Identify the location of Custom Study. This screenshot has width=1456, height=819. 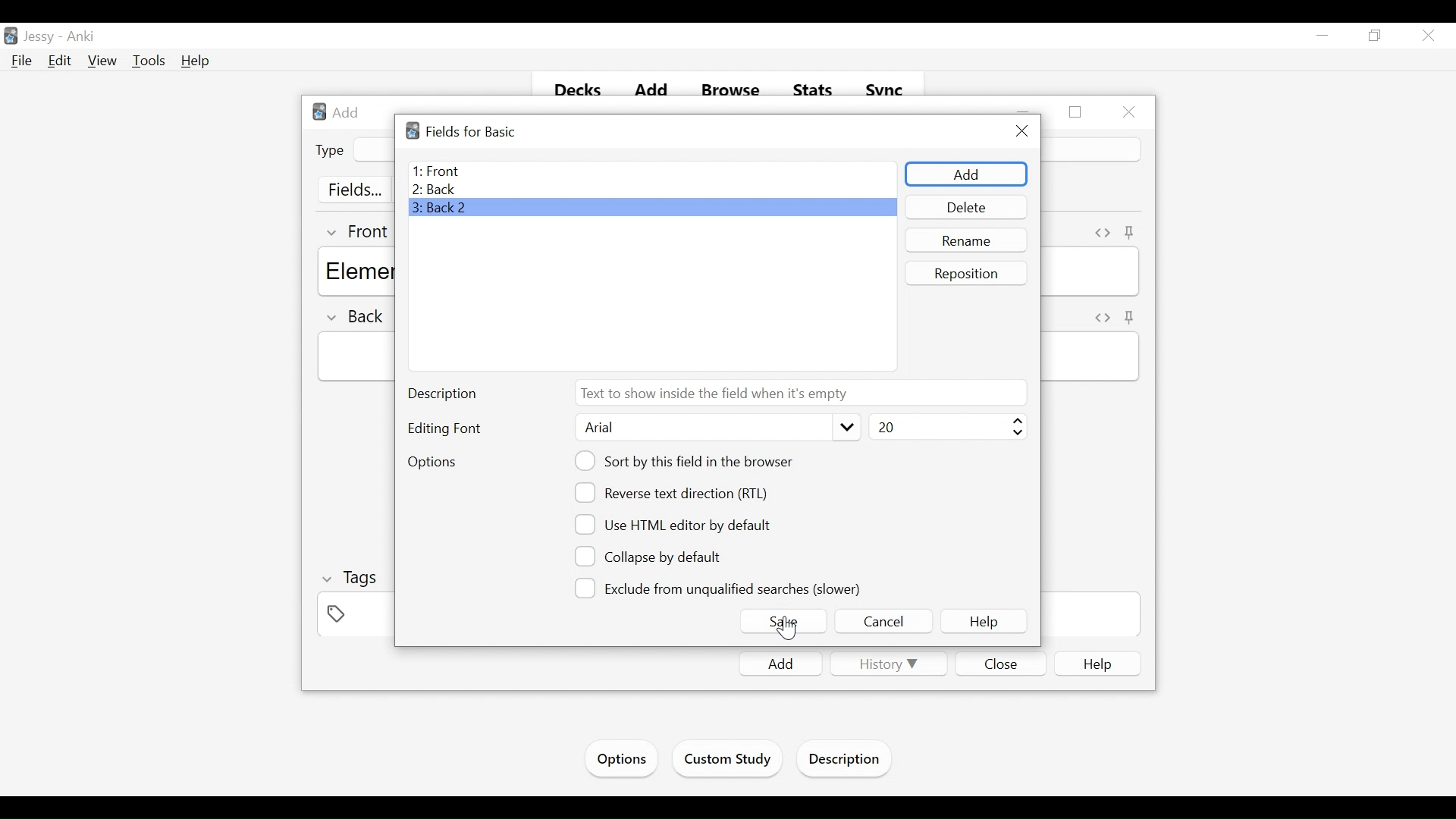
(729, 761).